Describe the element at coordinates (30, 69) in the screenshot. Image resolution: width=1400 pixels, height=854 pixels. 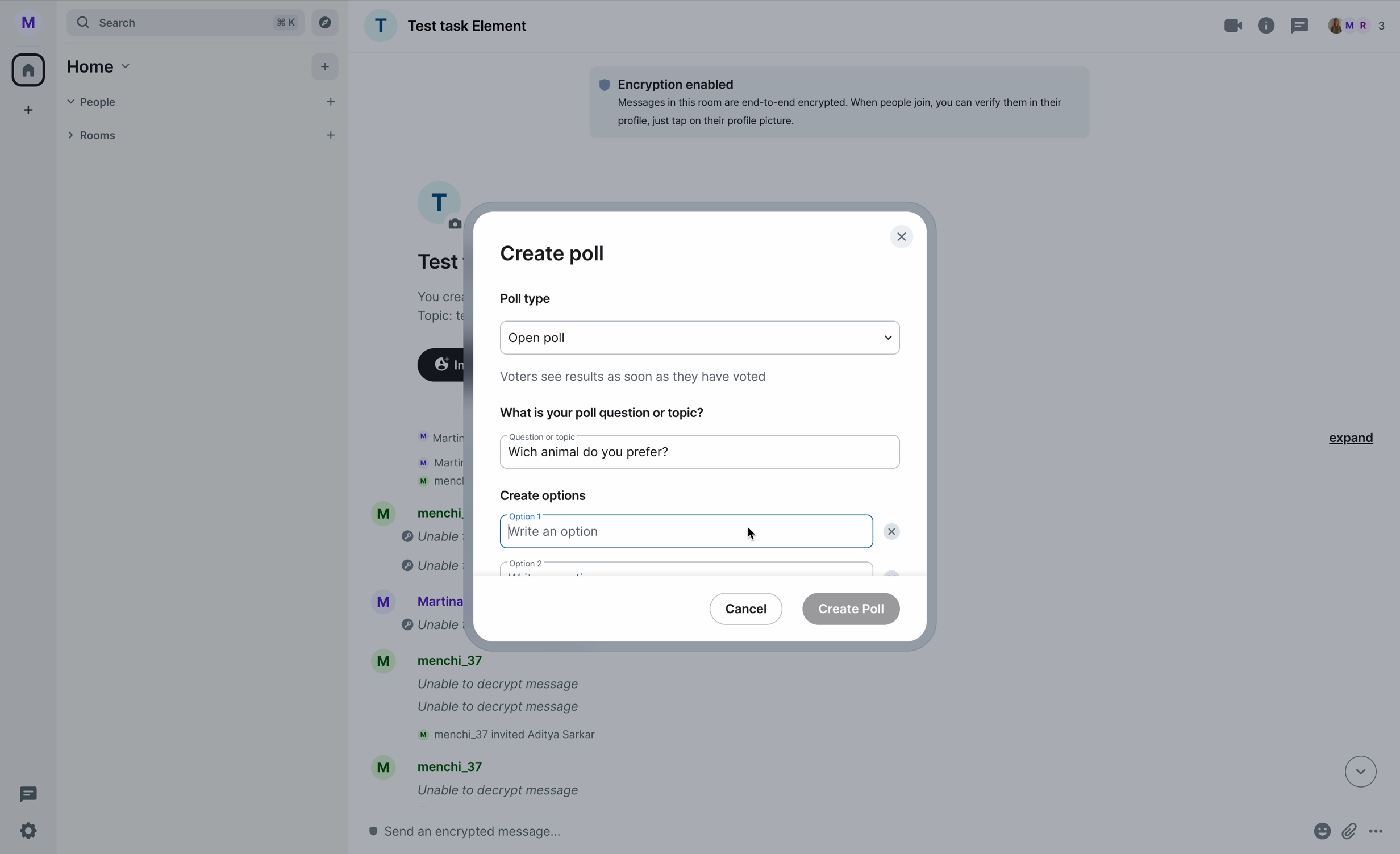
I see `home` at that location.